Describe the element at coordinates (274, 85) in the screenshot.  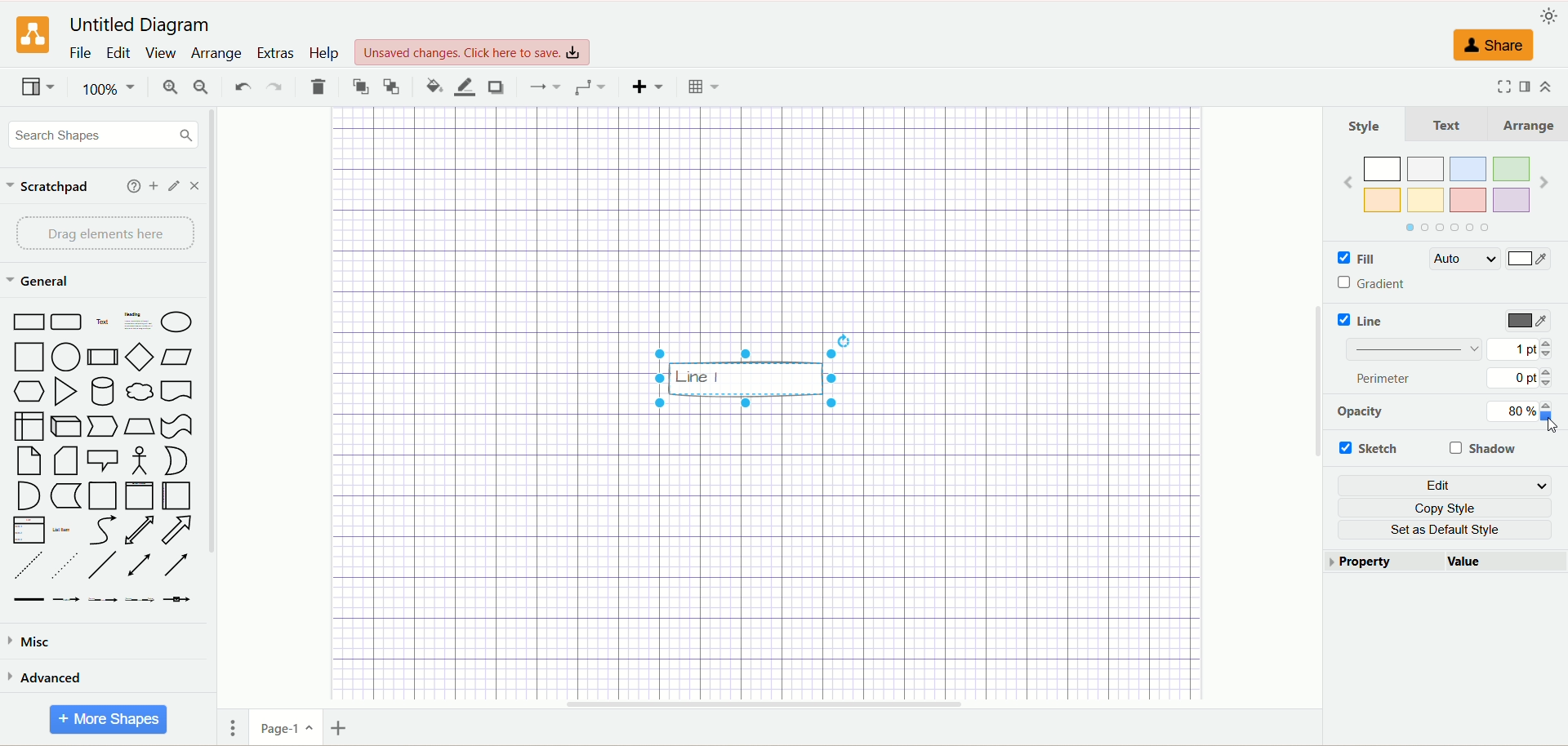
I see `redo` at that location.